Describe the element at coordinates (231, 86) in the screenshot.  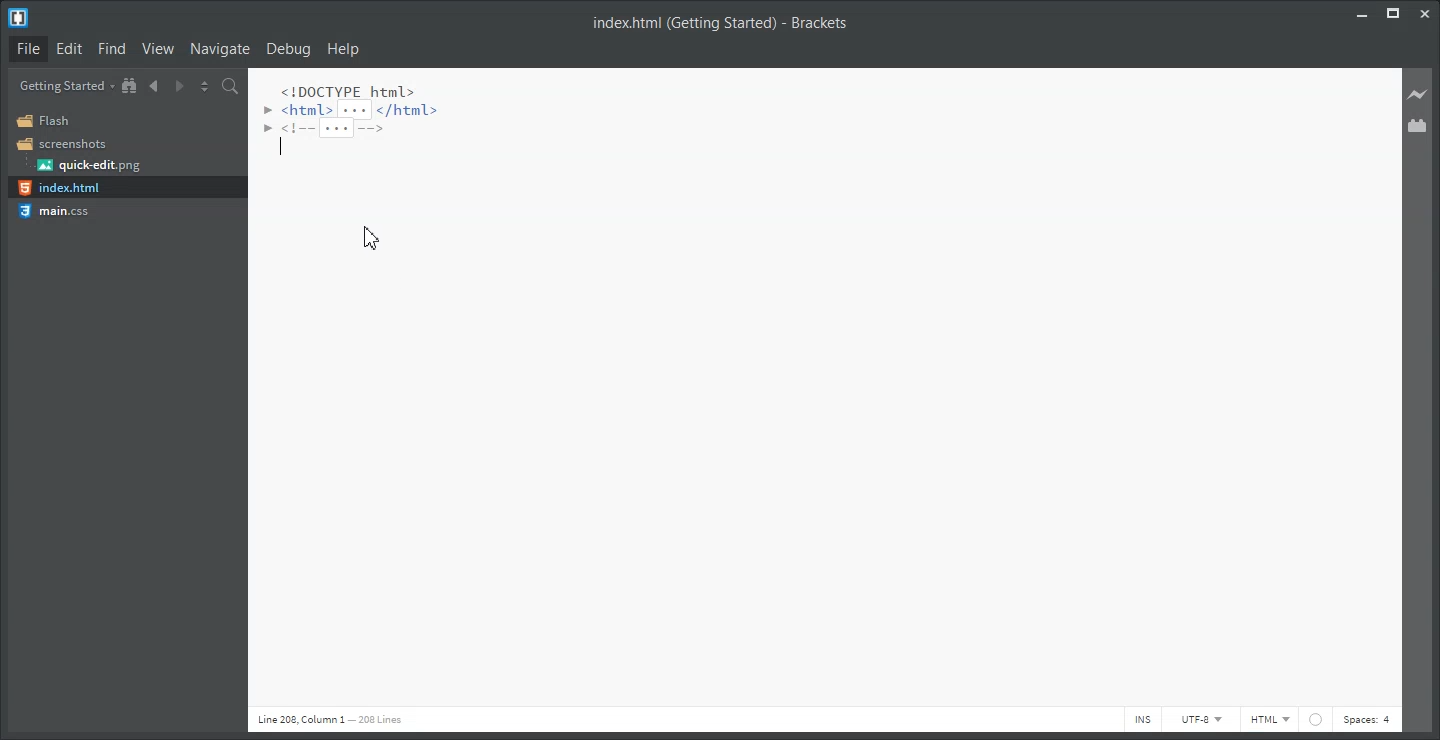
I see `Find in Files` at that location.